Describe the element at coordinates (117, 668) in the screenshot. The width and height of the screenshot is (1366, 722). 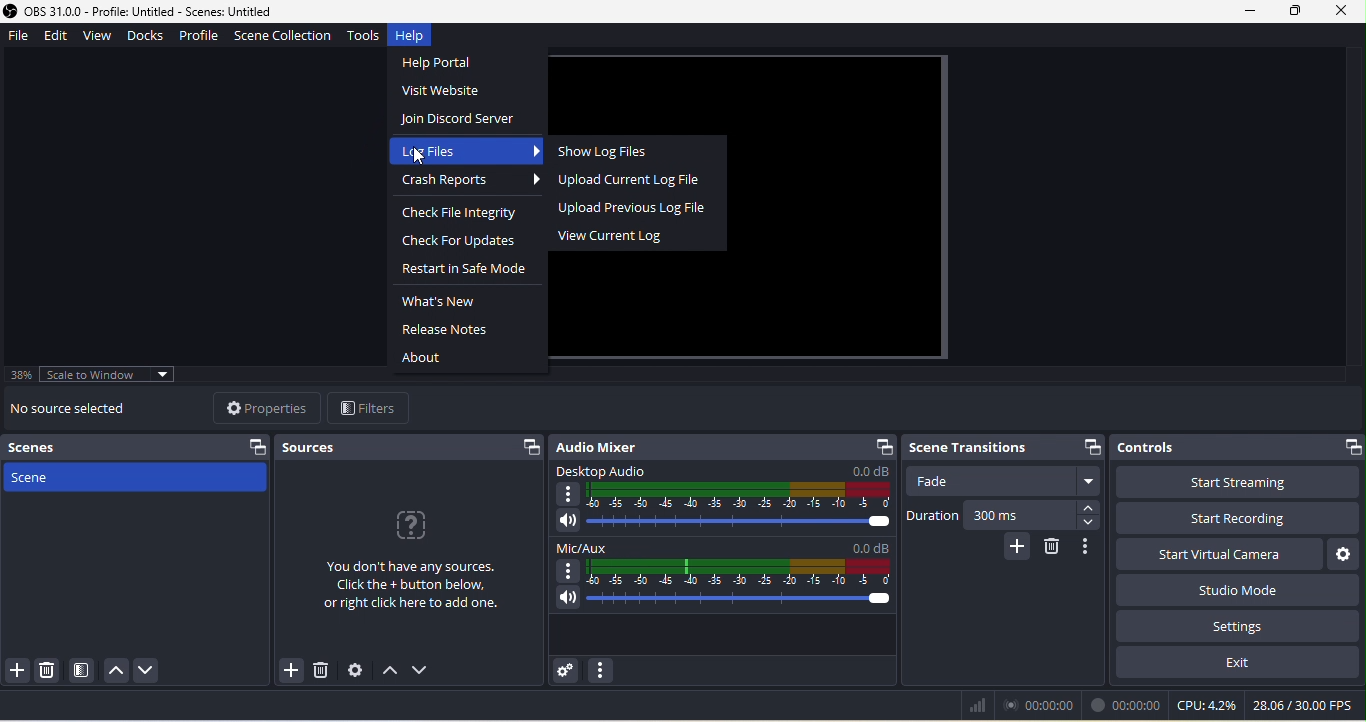
I see `up` at that location.